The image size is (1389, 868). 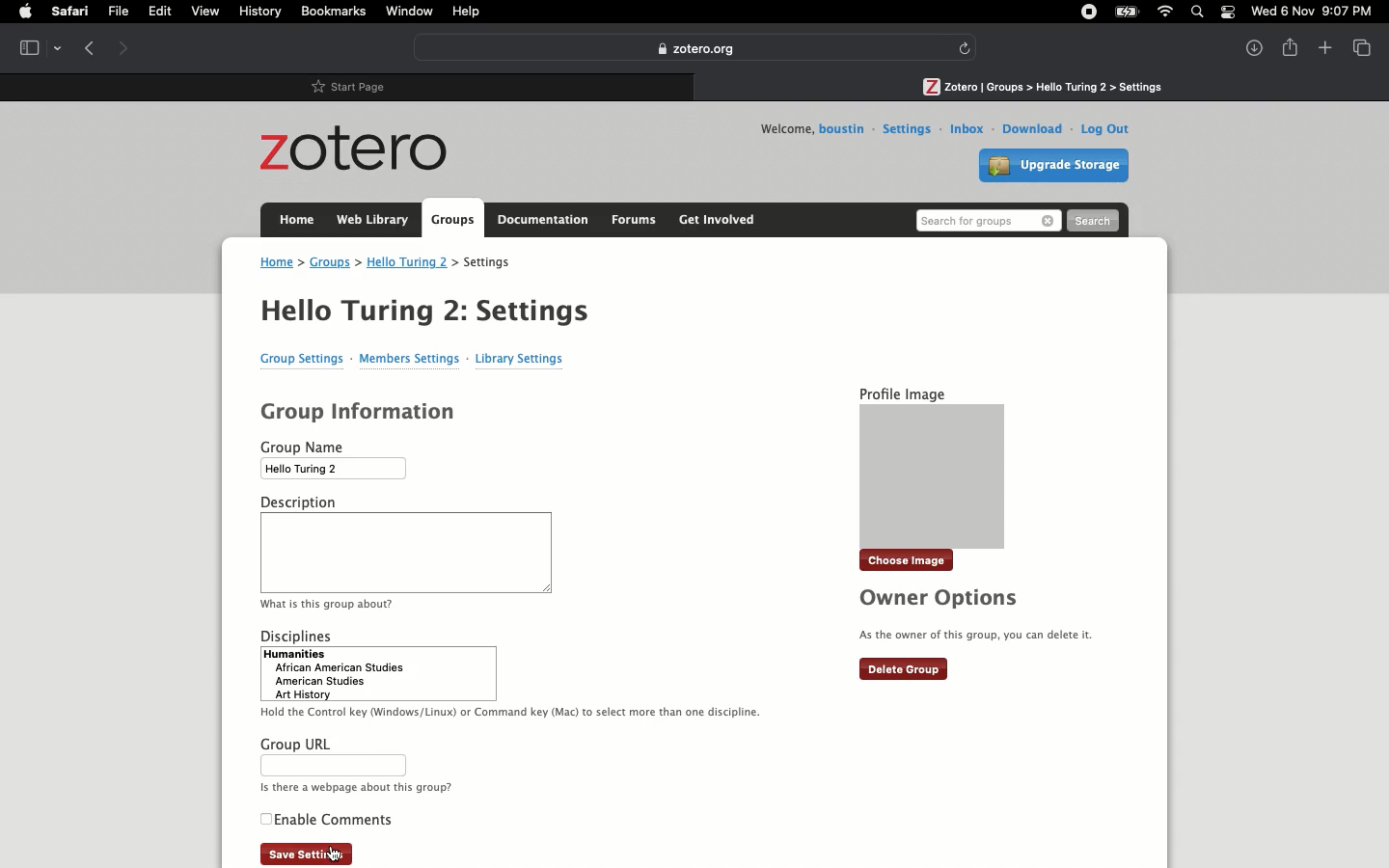 What do you see at coordinates (716, 219) in the screenshot?
I see `Get involved` at bounding box center [716, 219].